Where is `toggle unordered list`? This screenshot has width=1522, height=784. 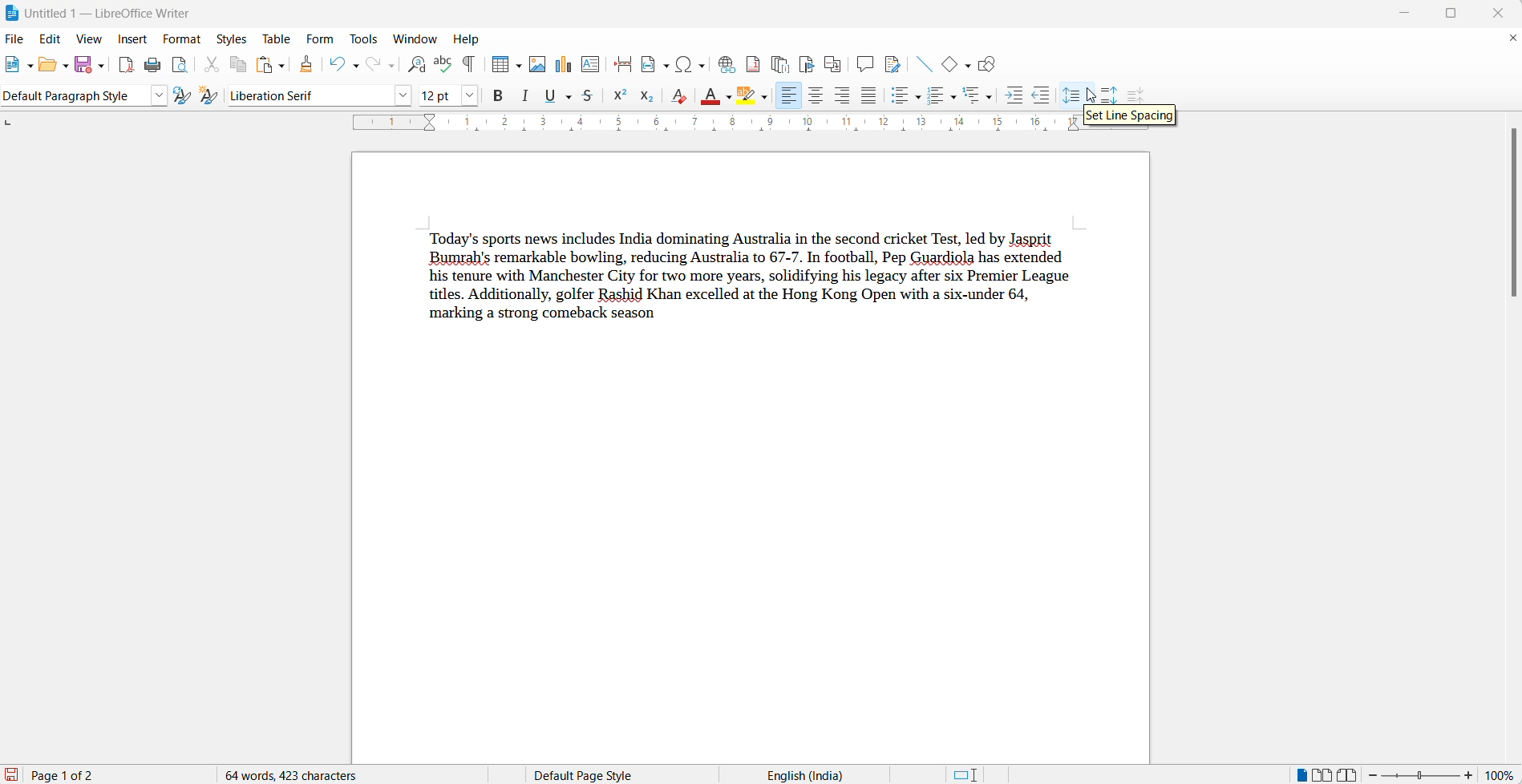
toggle unordered list is located at coordinates (918, 98).